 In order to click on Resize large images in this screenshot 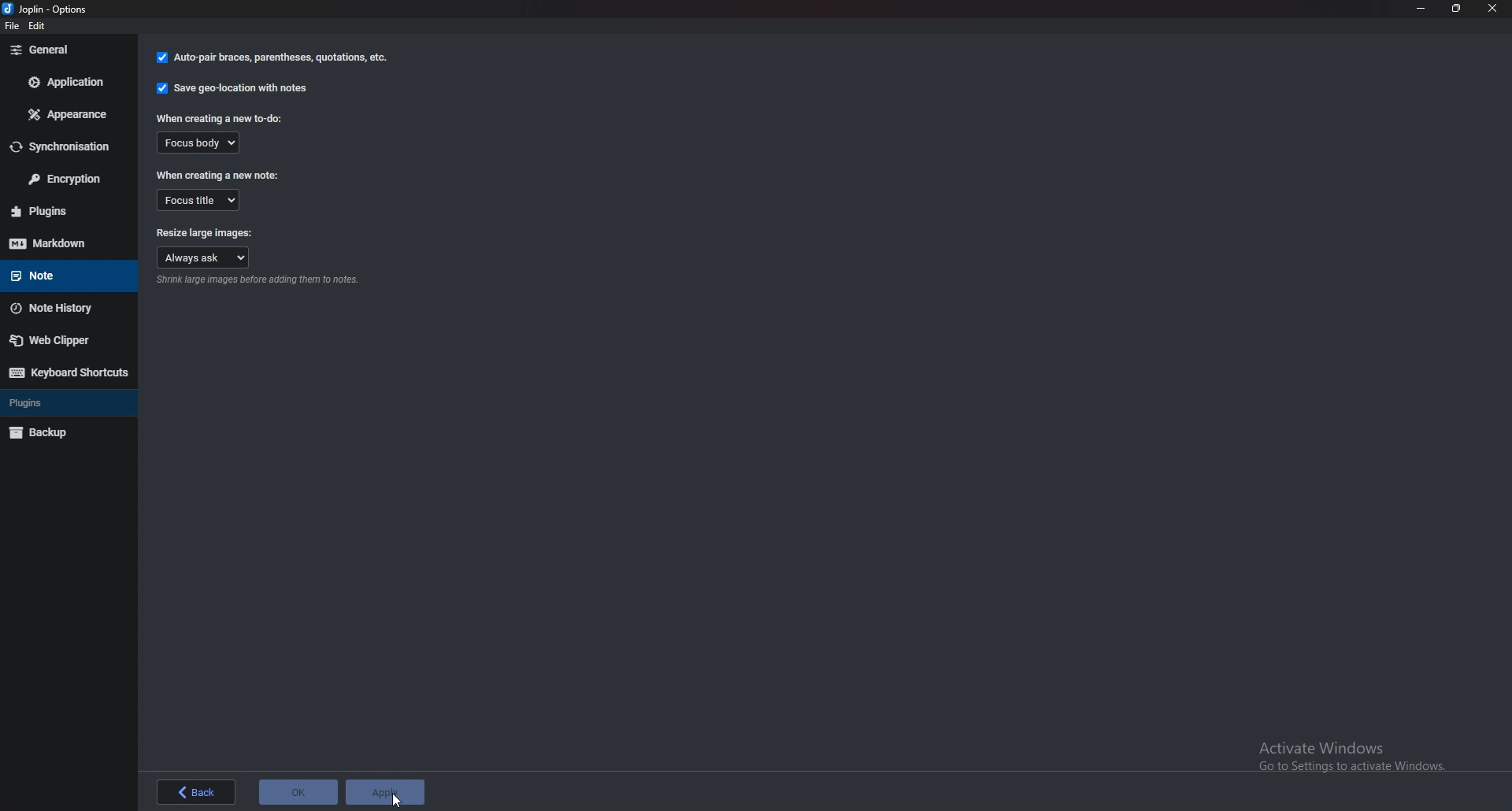, I will do `click(204, 230)`.